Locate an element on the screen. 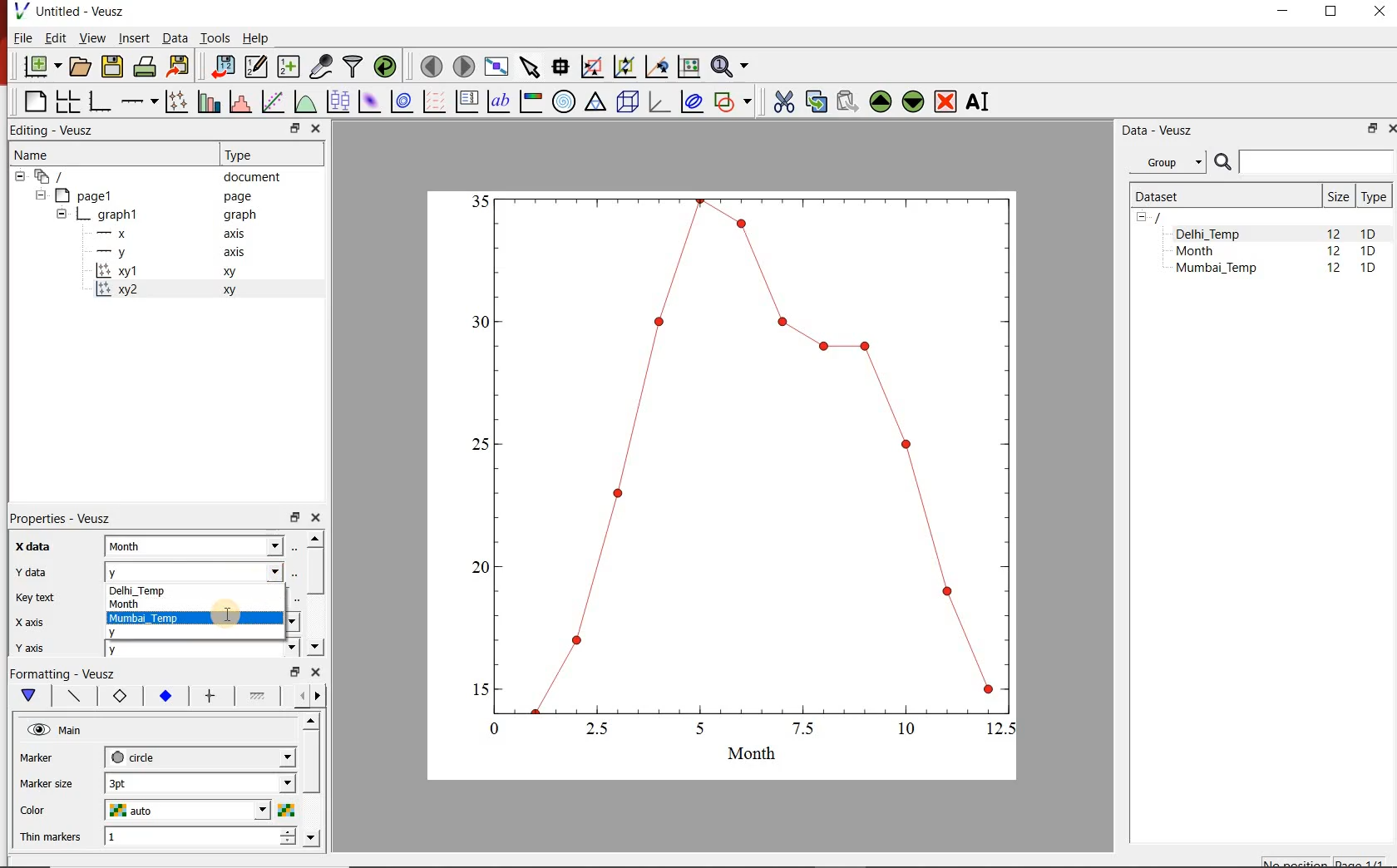 The image size is (1397, 868). xy2 is located at coordinates (173, 291).